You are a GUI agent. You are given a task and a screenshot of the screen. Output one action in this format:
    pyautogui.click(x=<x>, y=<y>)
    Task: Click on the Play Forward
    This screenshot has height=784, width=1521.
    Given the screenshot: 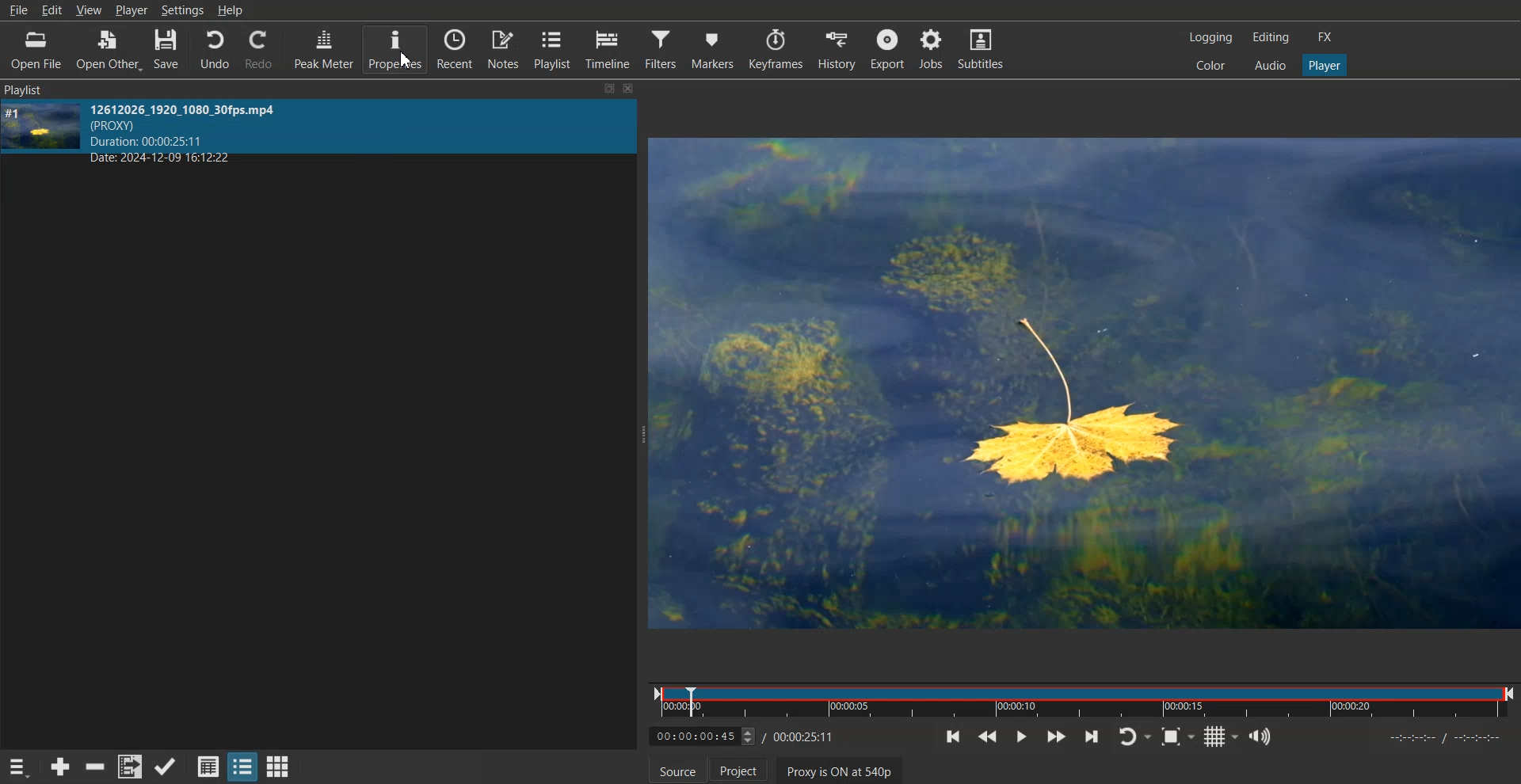 What is the action you would take?
    pyautogui.click(x=1056, y=736)
    